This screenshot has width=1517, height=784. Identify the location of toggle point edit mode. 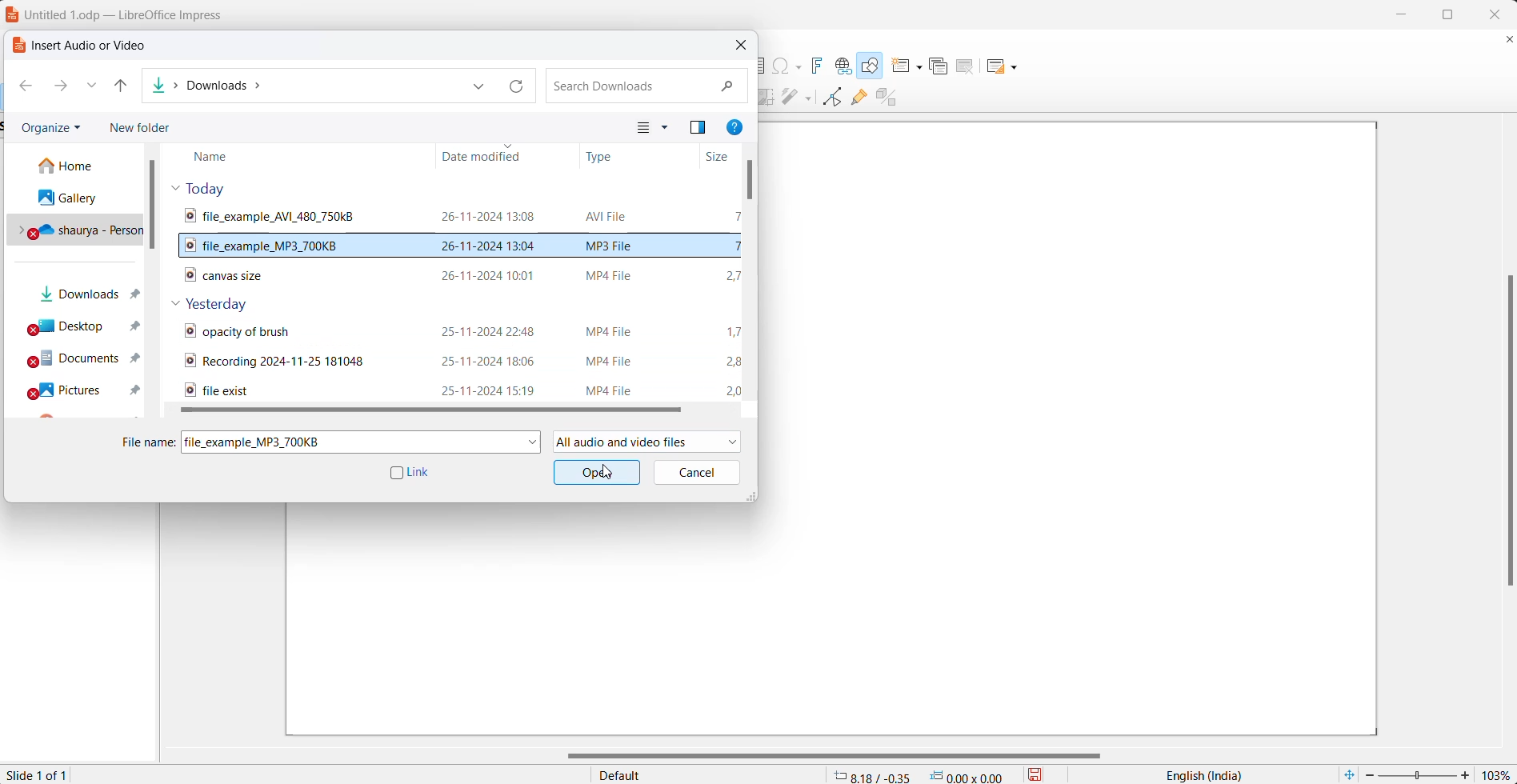
(831, 100).